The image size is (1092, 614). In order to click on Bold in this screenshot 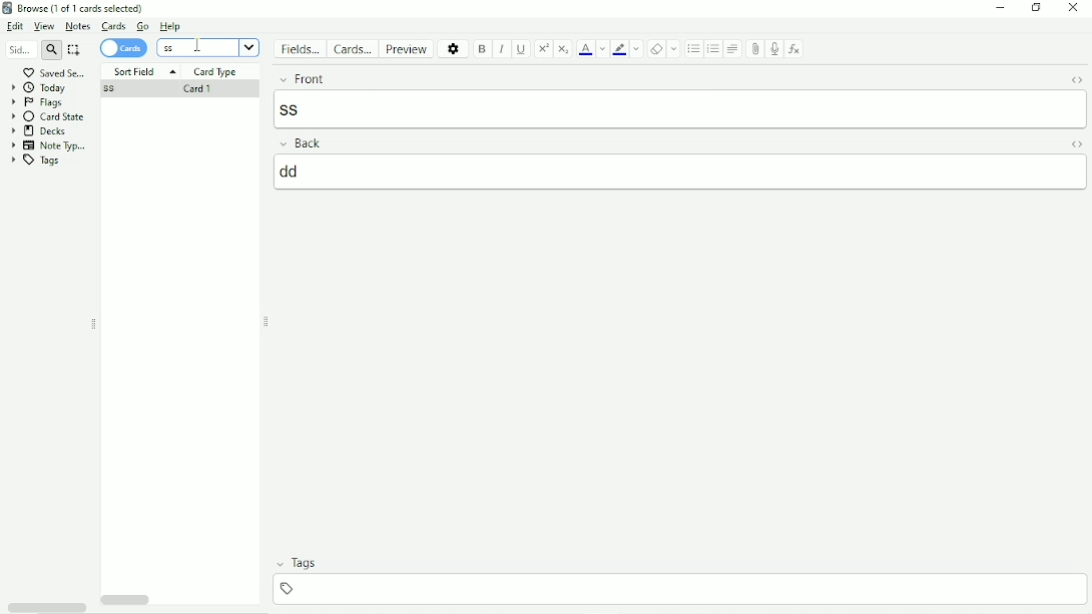, I will do `click(482, 49)`.